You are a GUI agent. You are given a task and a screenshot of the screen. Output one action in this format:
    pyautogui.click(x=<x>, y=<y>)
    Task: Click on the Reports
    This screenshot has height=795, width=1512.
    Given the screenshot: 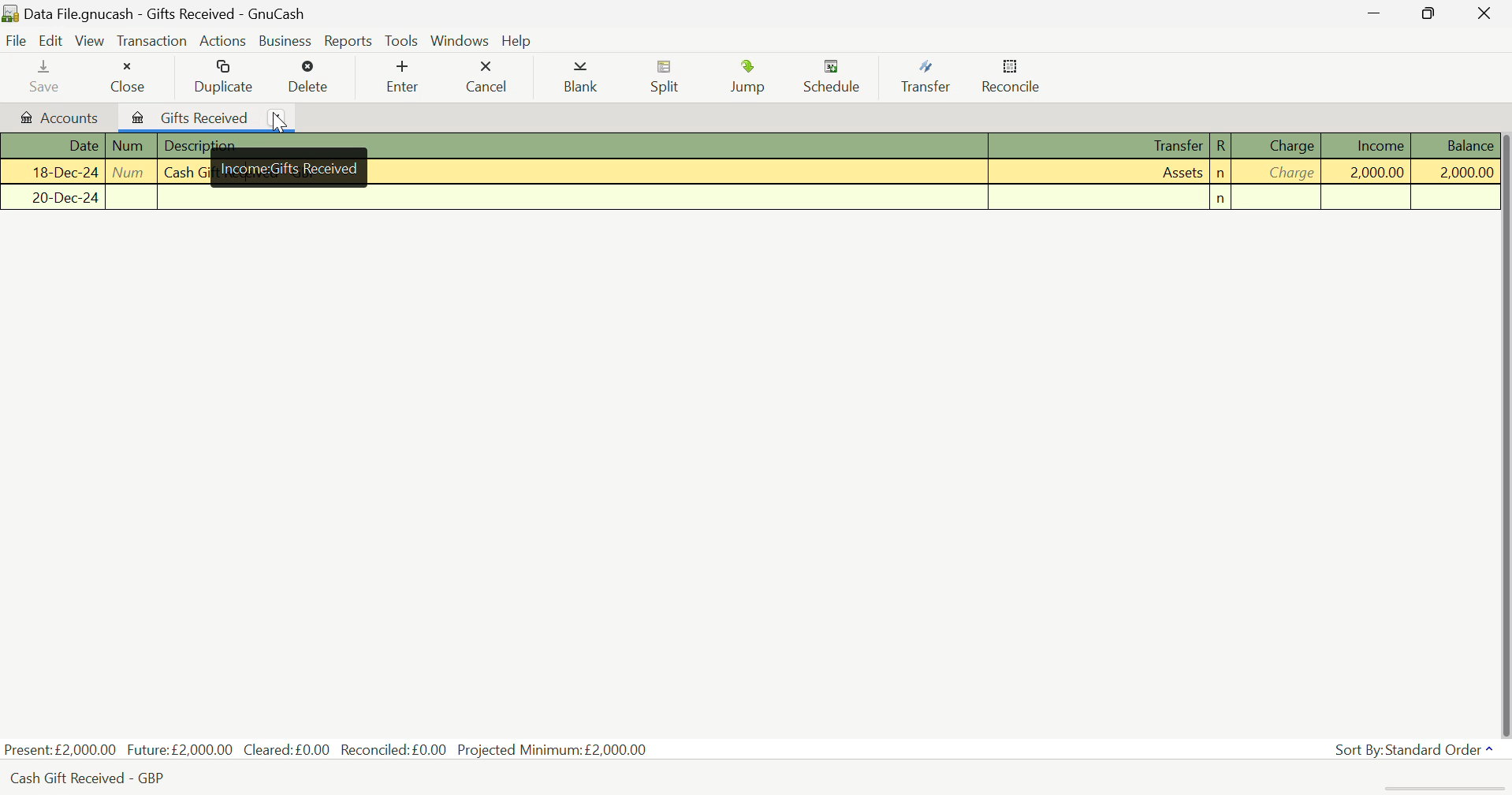 What is the action you would take?
    pyautogui.click(x=345, y=39)
    